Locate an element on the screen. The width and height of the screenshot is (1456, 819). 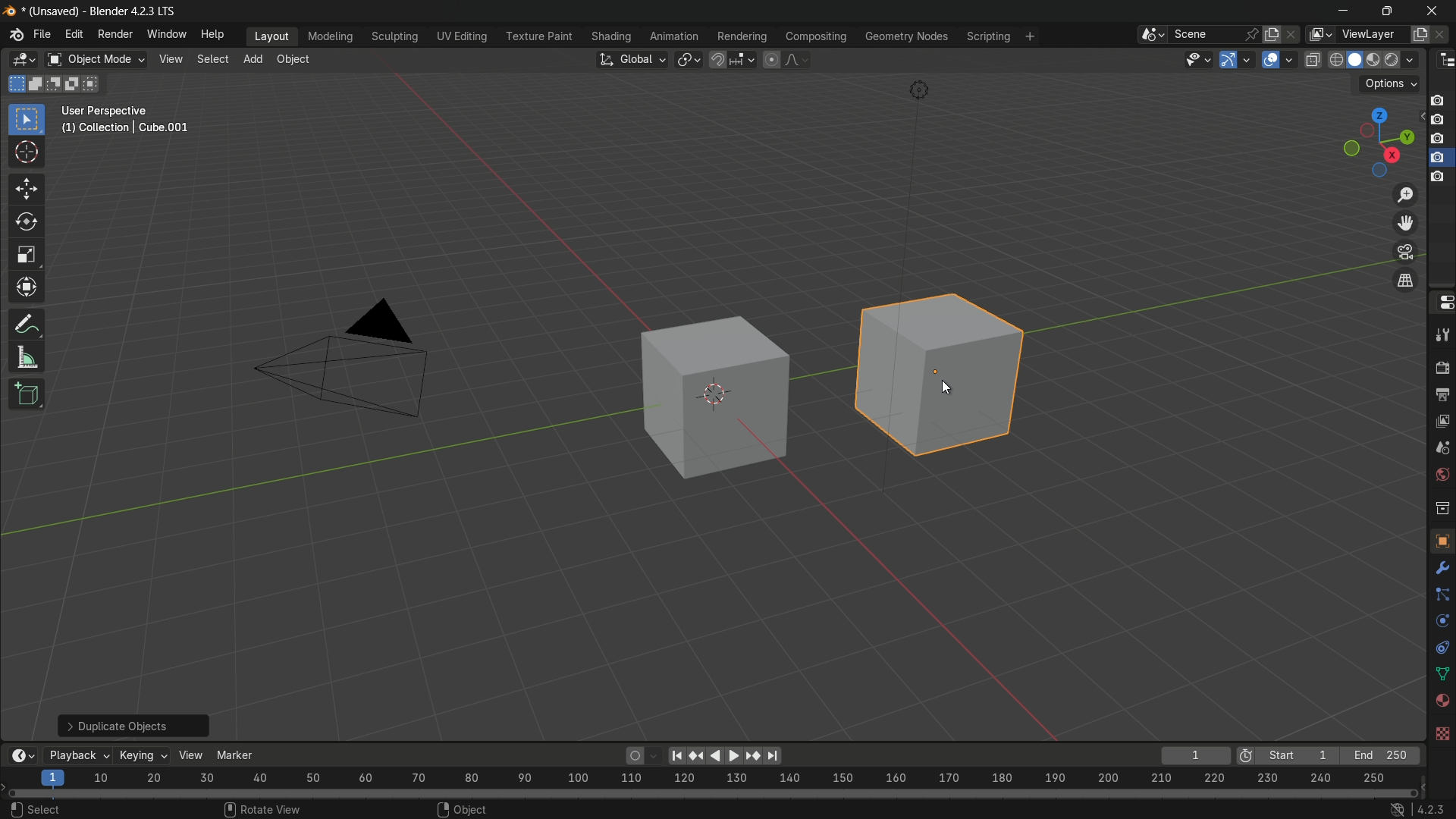
select box is located at coordinates (27, 118).